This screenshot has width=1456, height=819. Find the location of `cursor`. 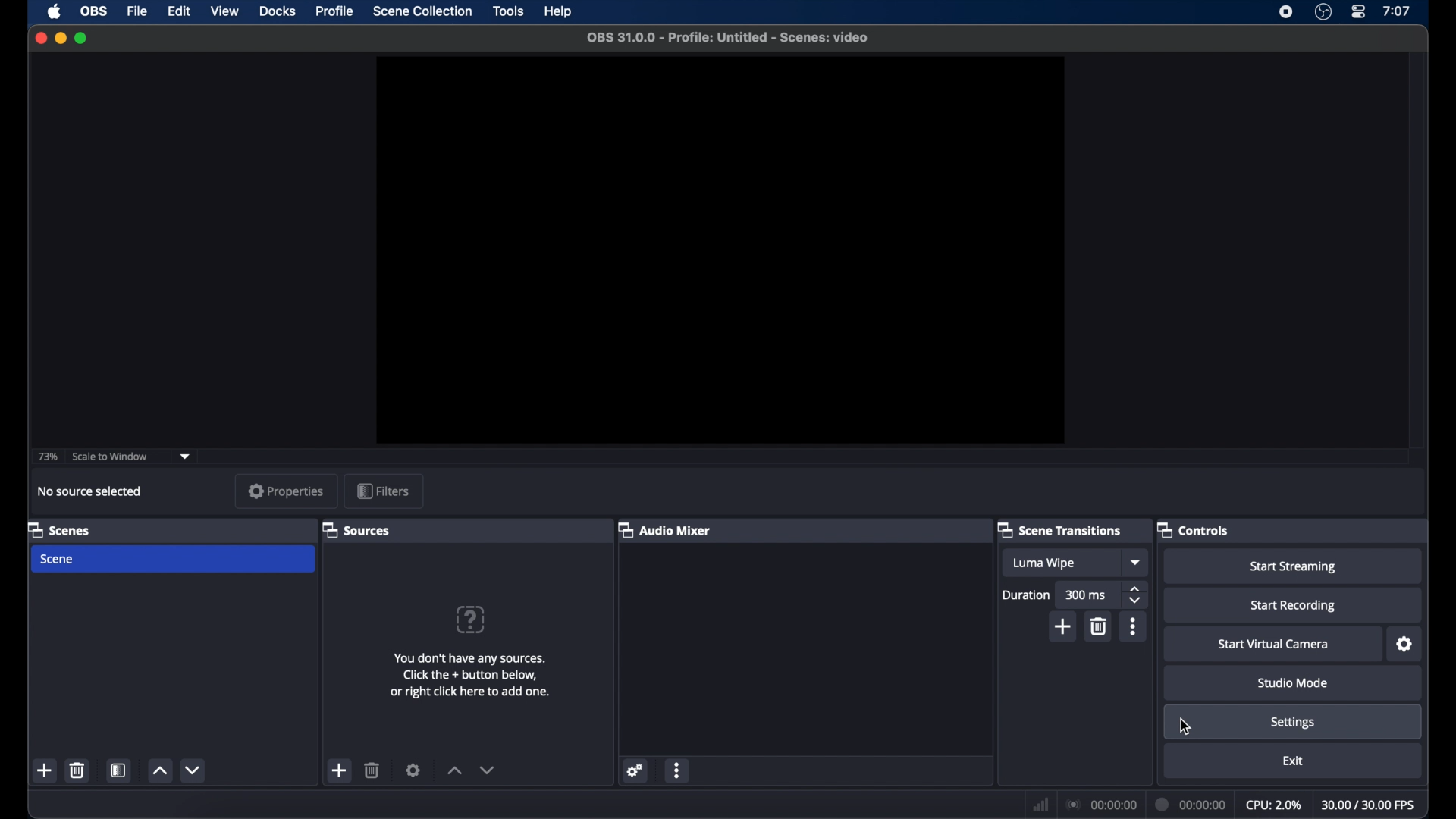

cursor is located at coordinates (1187, 726).